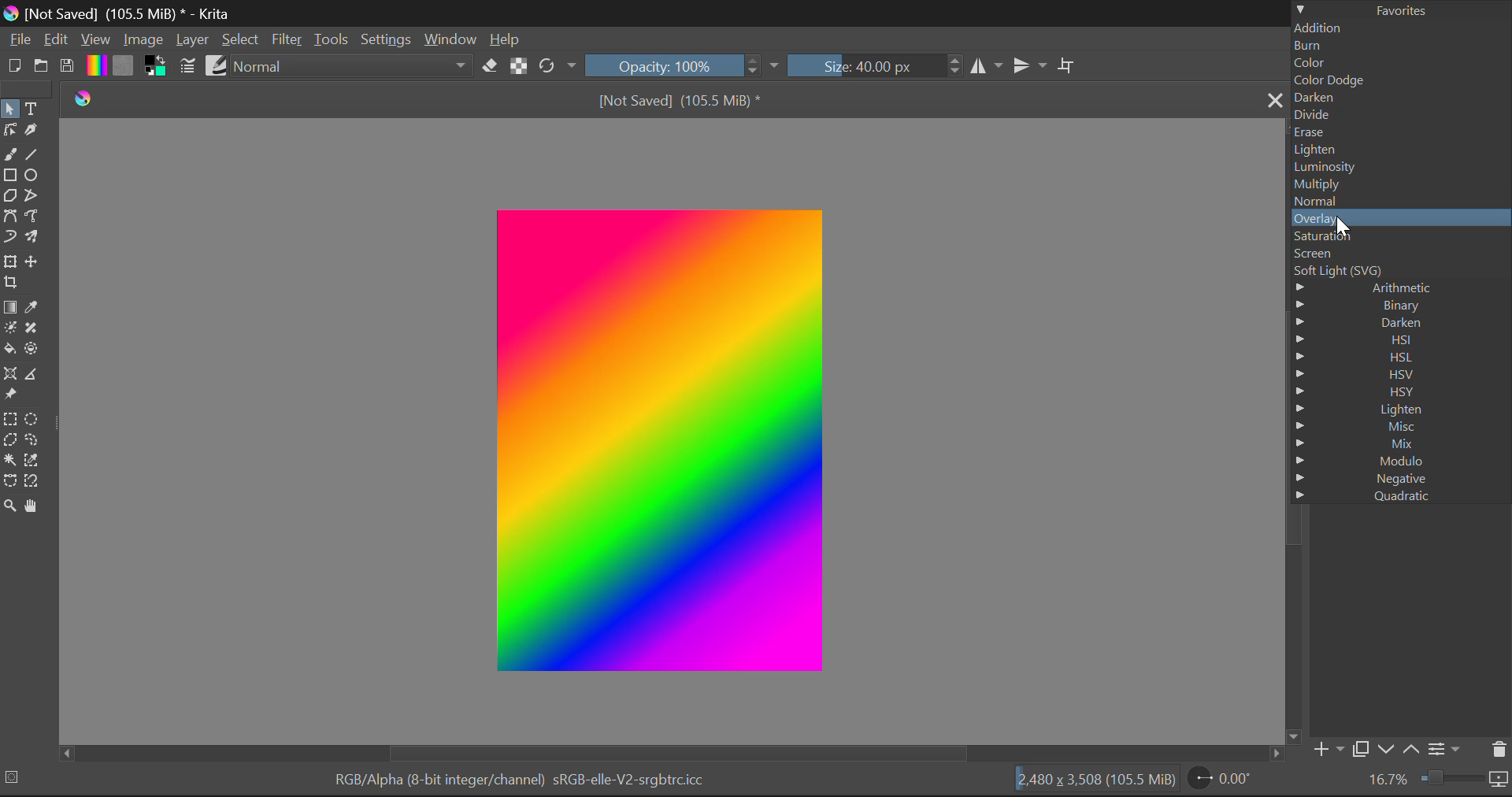 Image resolution: width=1512 pixels, height=797 pixels. I want to click on cursor, so click(1342, 229).